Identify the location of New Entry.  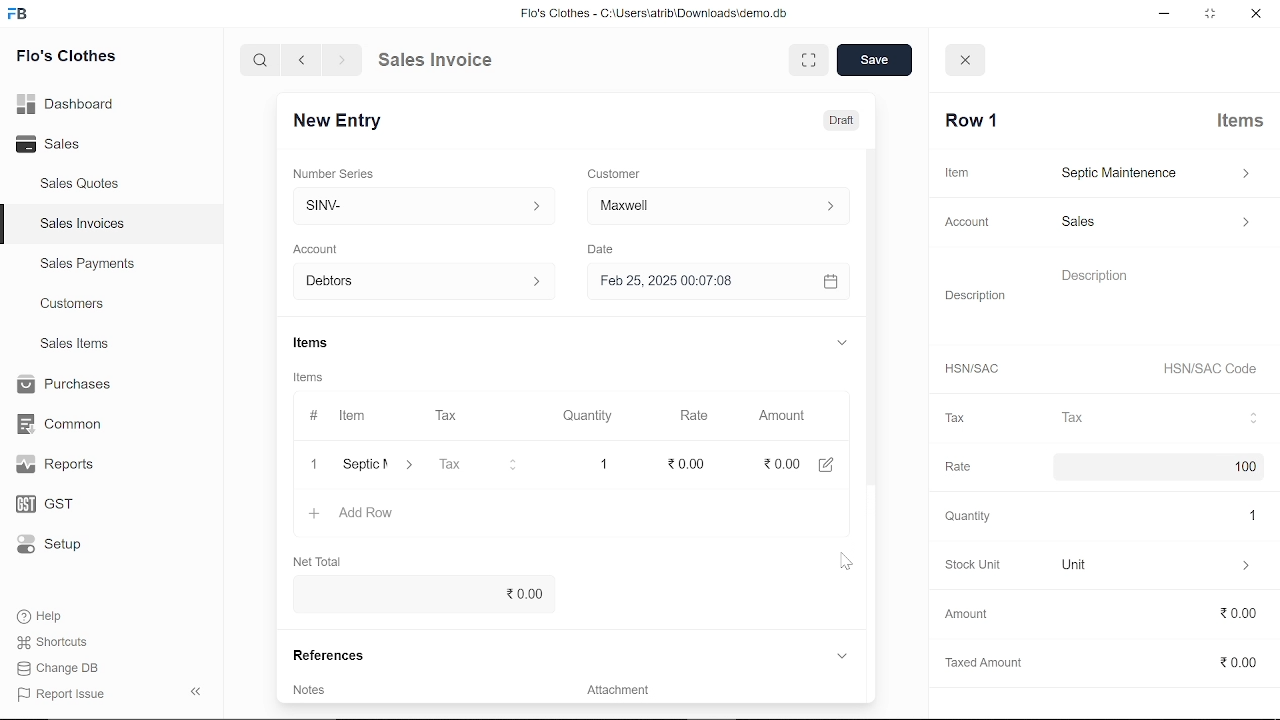
(349, 123).